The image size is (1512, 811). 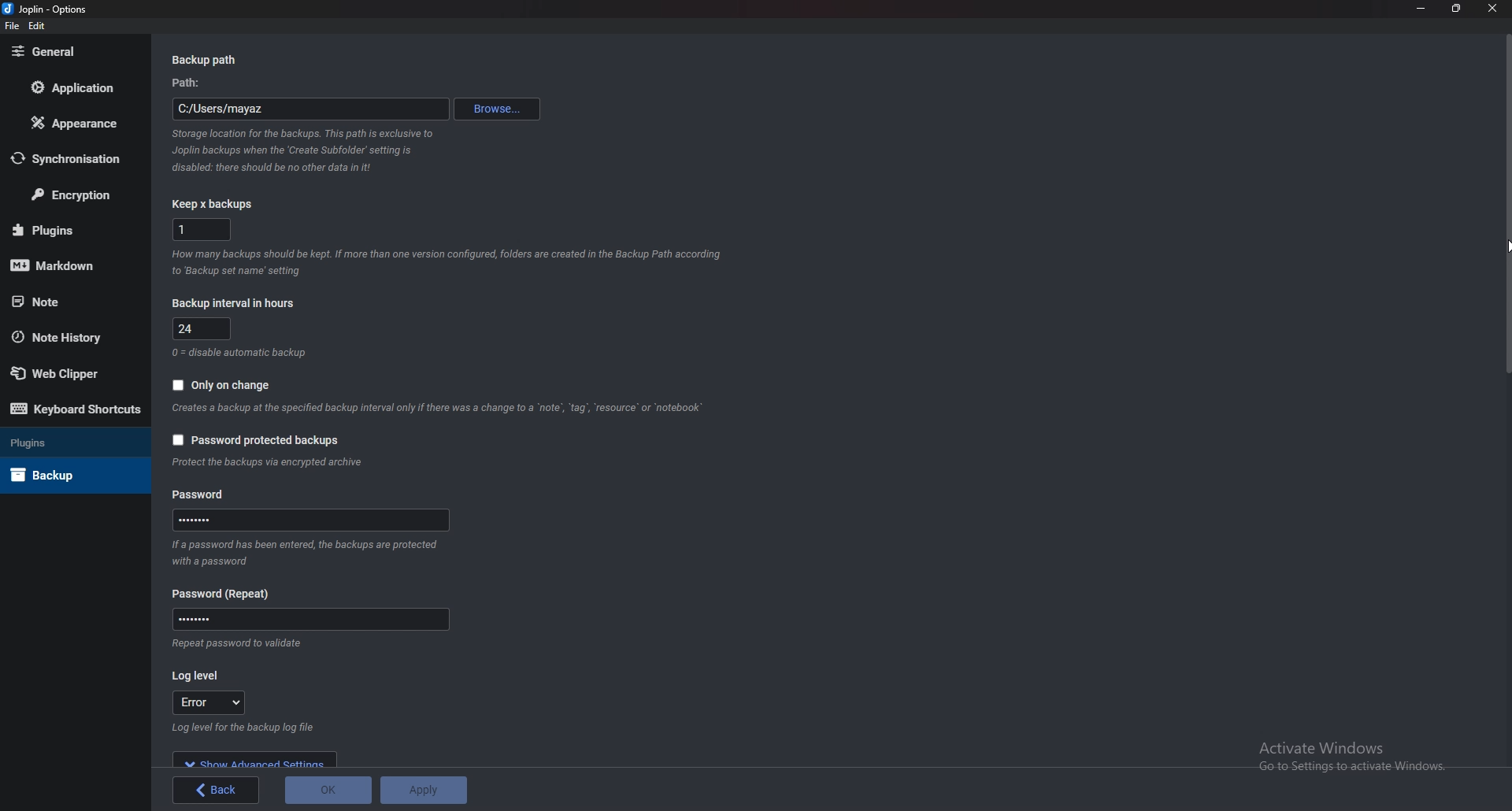 What do you see at coordinates (203, 495) in the screenshot?
I see `password` at bounding box center [203, 495].